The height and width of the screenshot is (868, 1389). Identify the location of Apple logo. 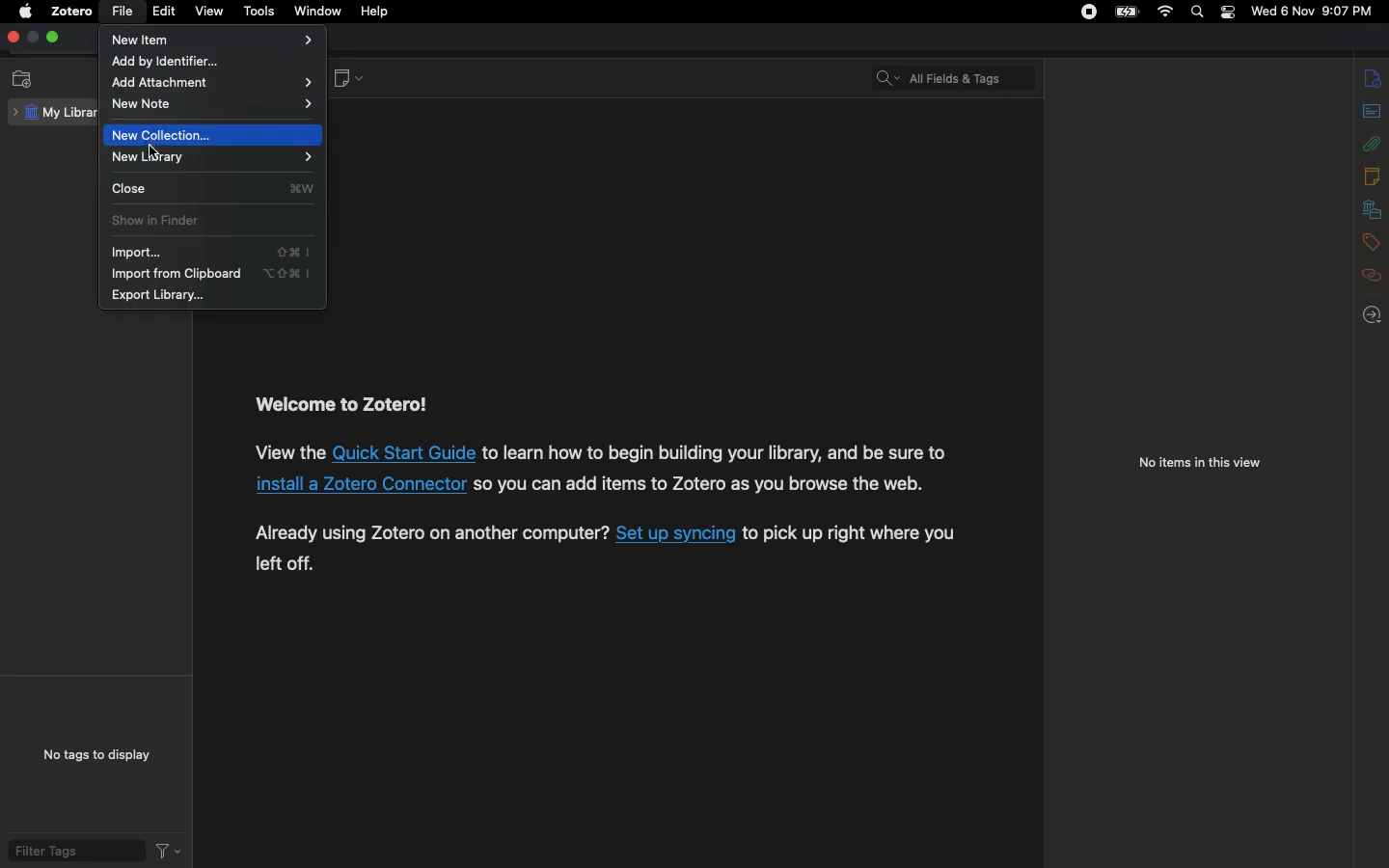
(24, 13).